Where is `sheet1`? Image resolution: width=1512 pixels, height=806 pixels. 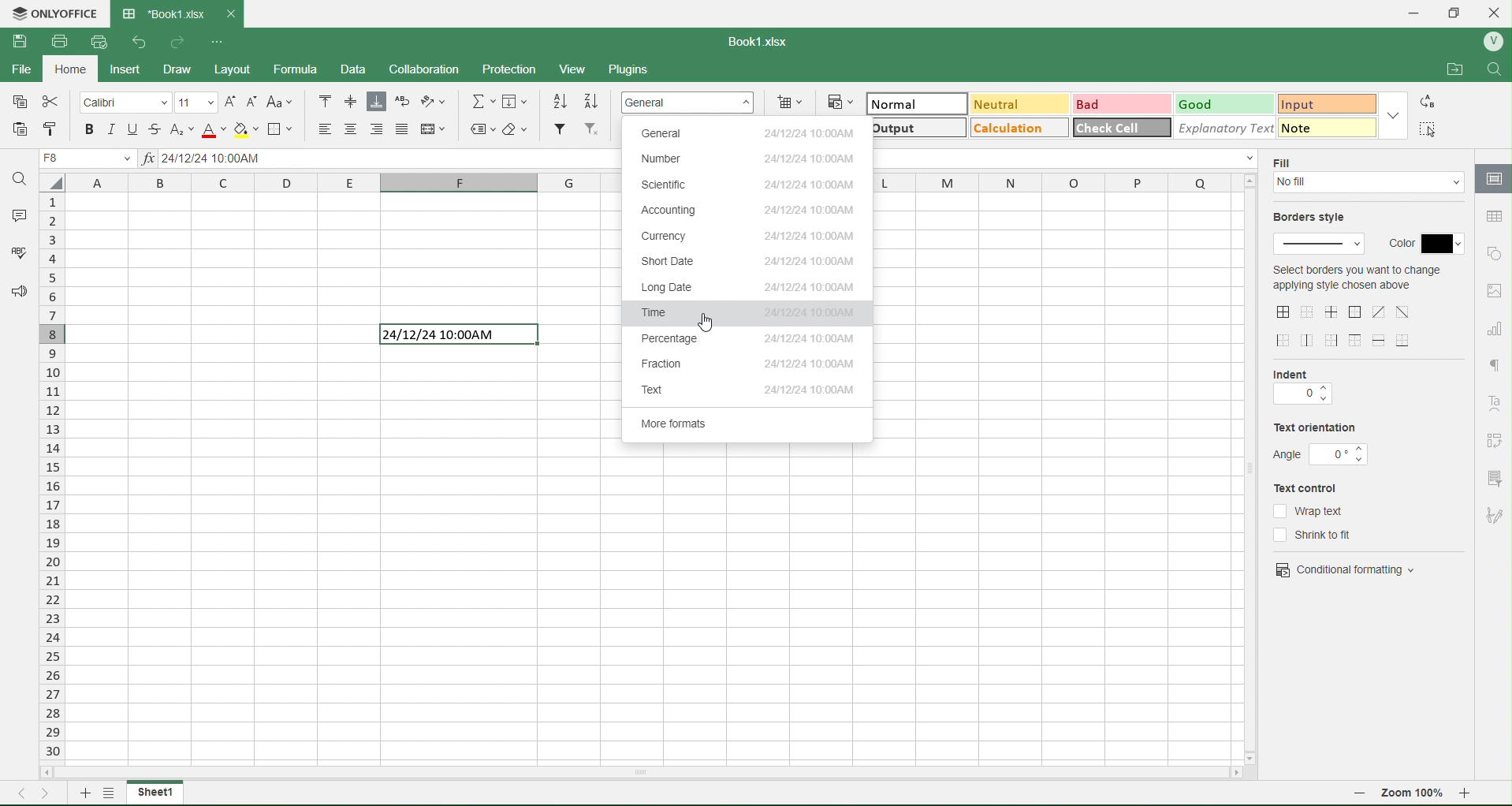
sheet1 is located at coordinates (155, 793).